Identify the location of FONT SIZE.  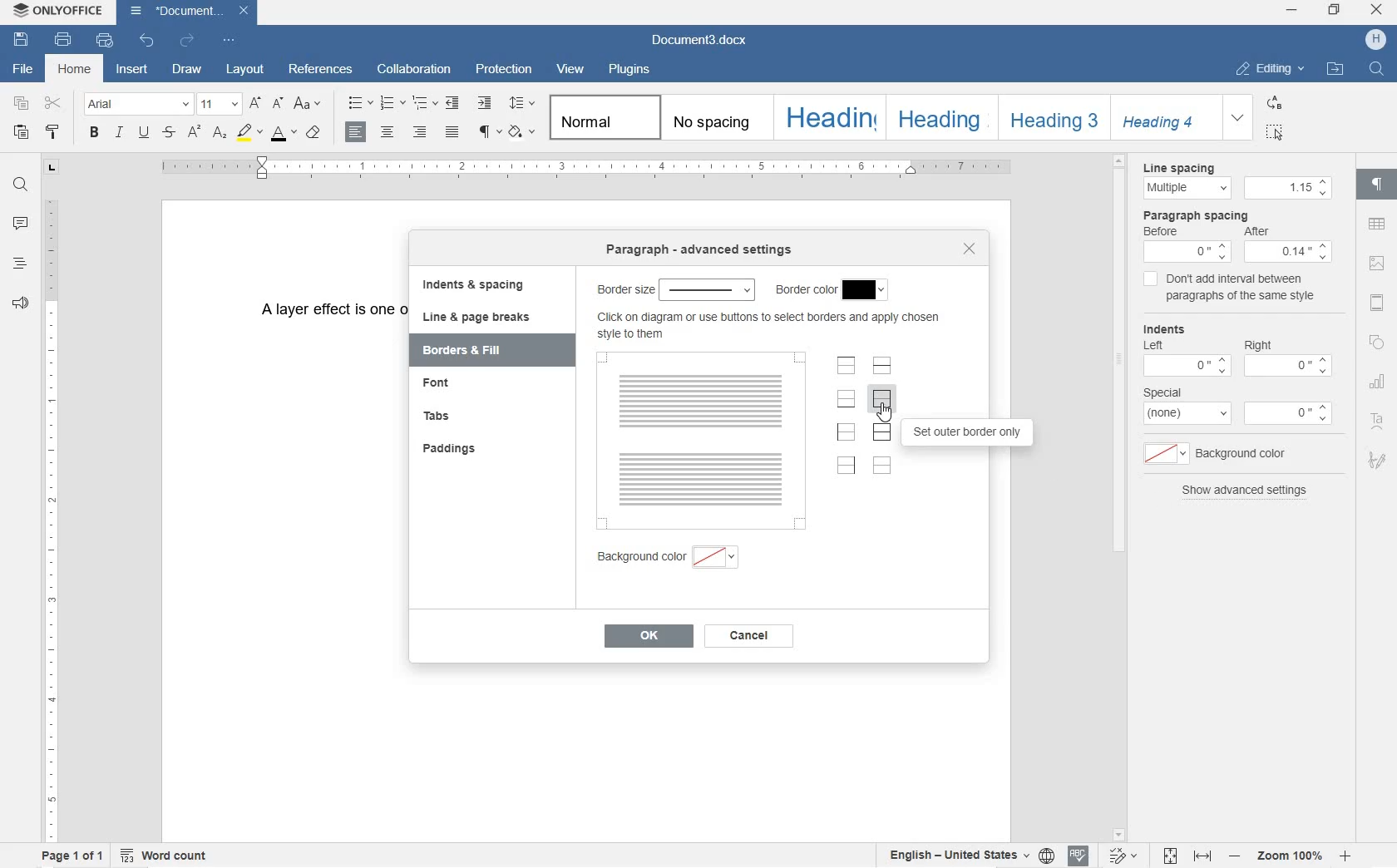
(218, 106).